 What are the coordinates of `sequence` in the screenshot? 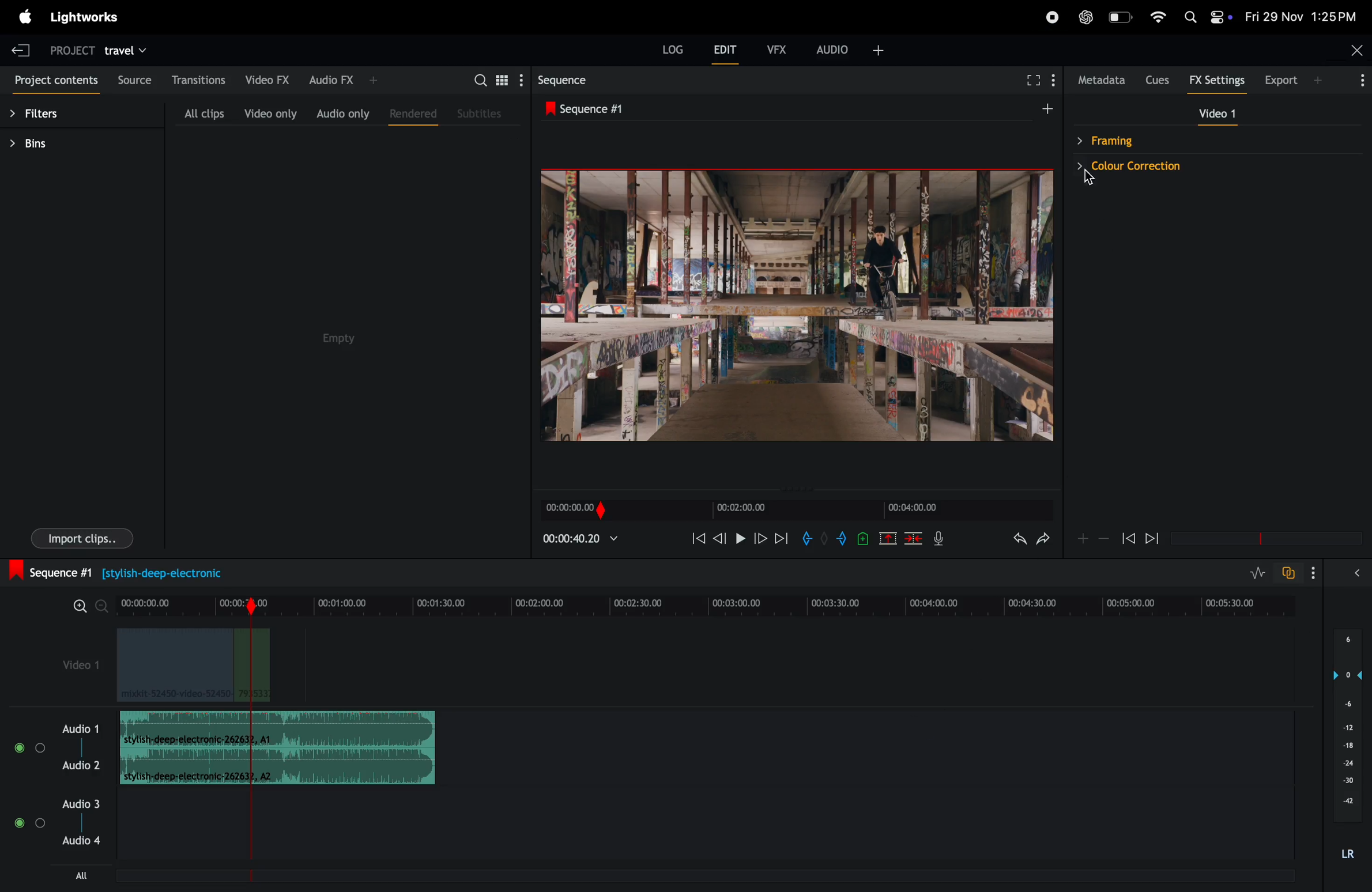 It's located at (581, 81).